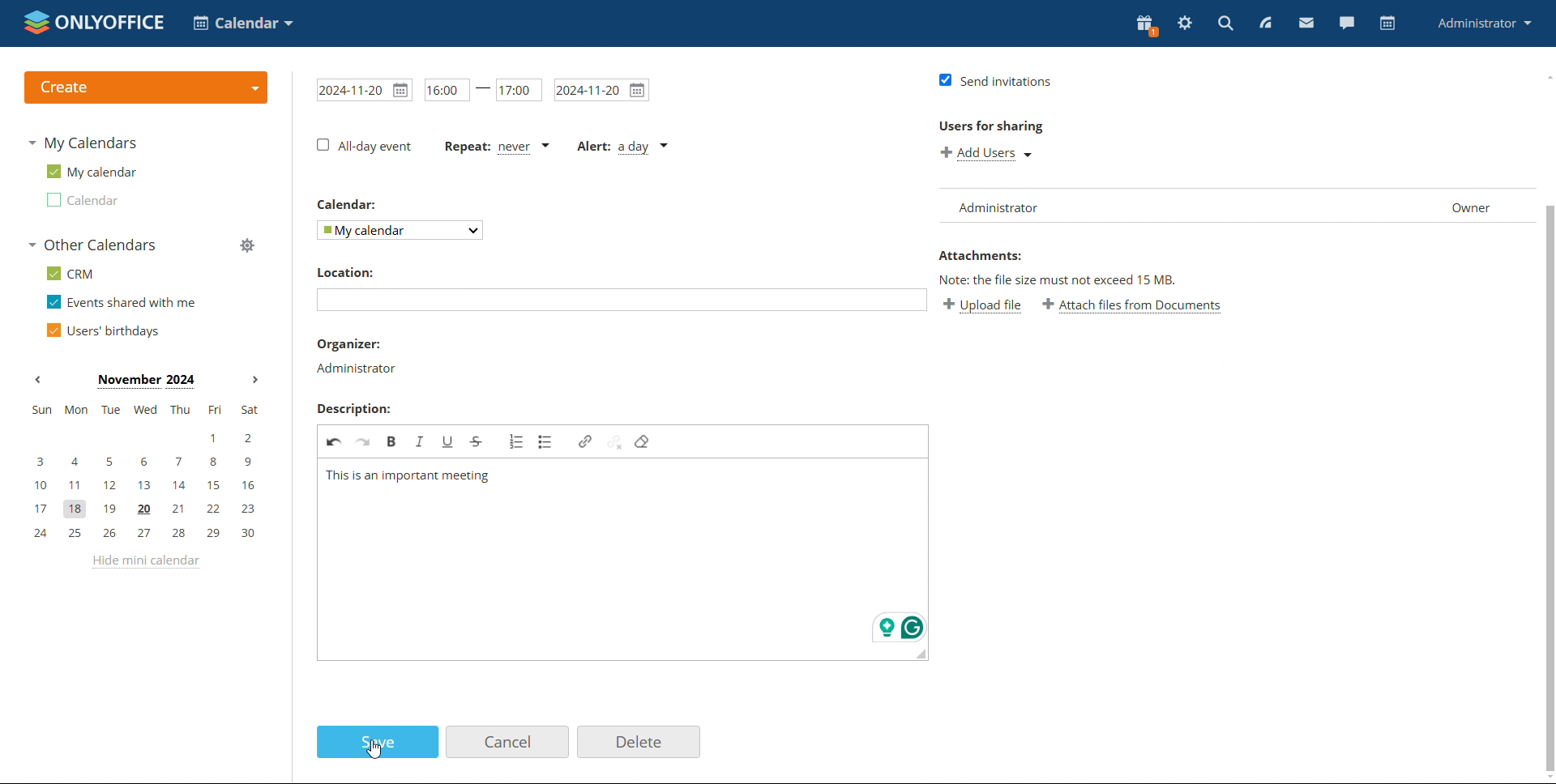  I want to click on calendar, so click(347, 204).